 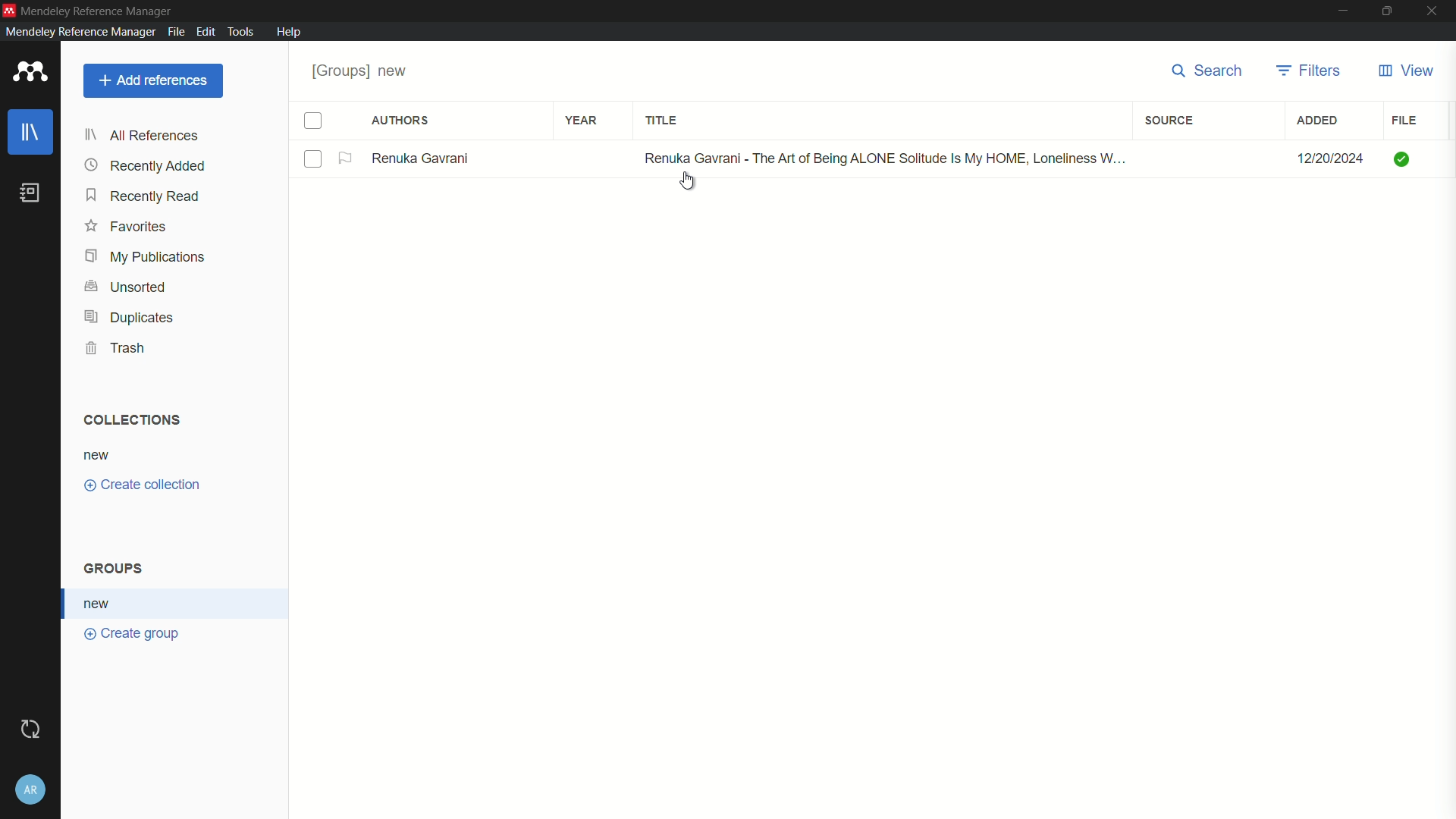 What do you see at coordinates (313, 121) in the screenshot?
I see `check box` at bounding box center [313, 121].